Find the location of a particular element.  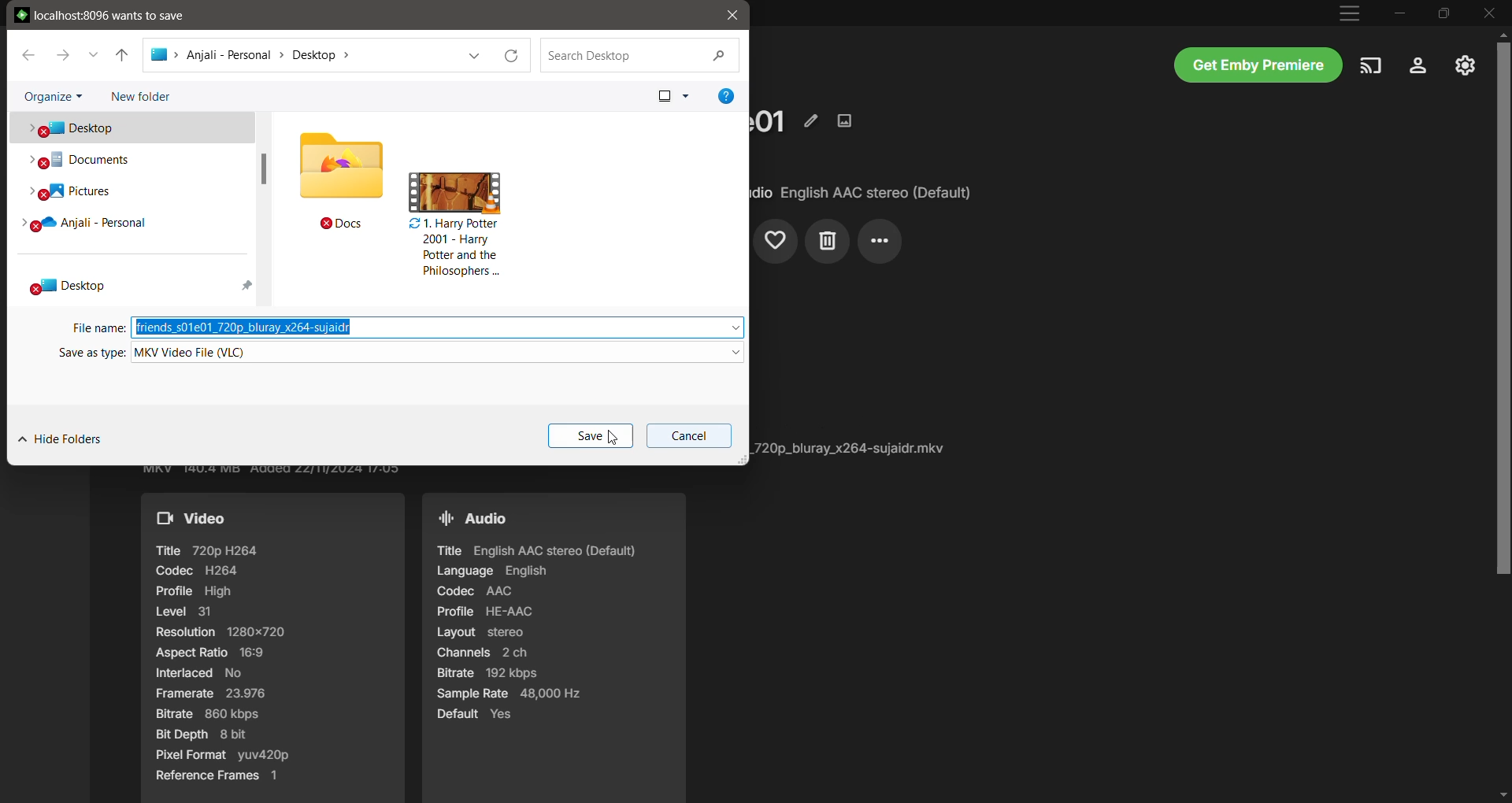

Video details is located at coordinates (273, 648).